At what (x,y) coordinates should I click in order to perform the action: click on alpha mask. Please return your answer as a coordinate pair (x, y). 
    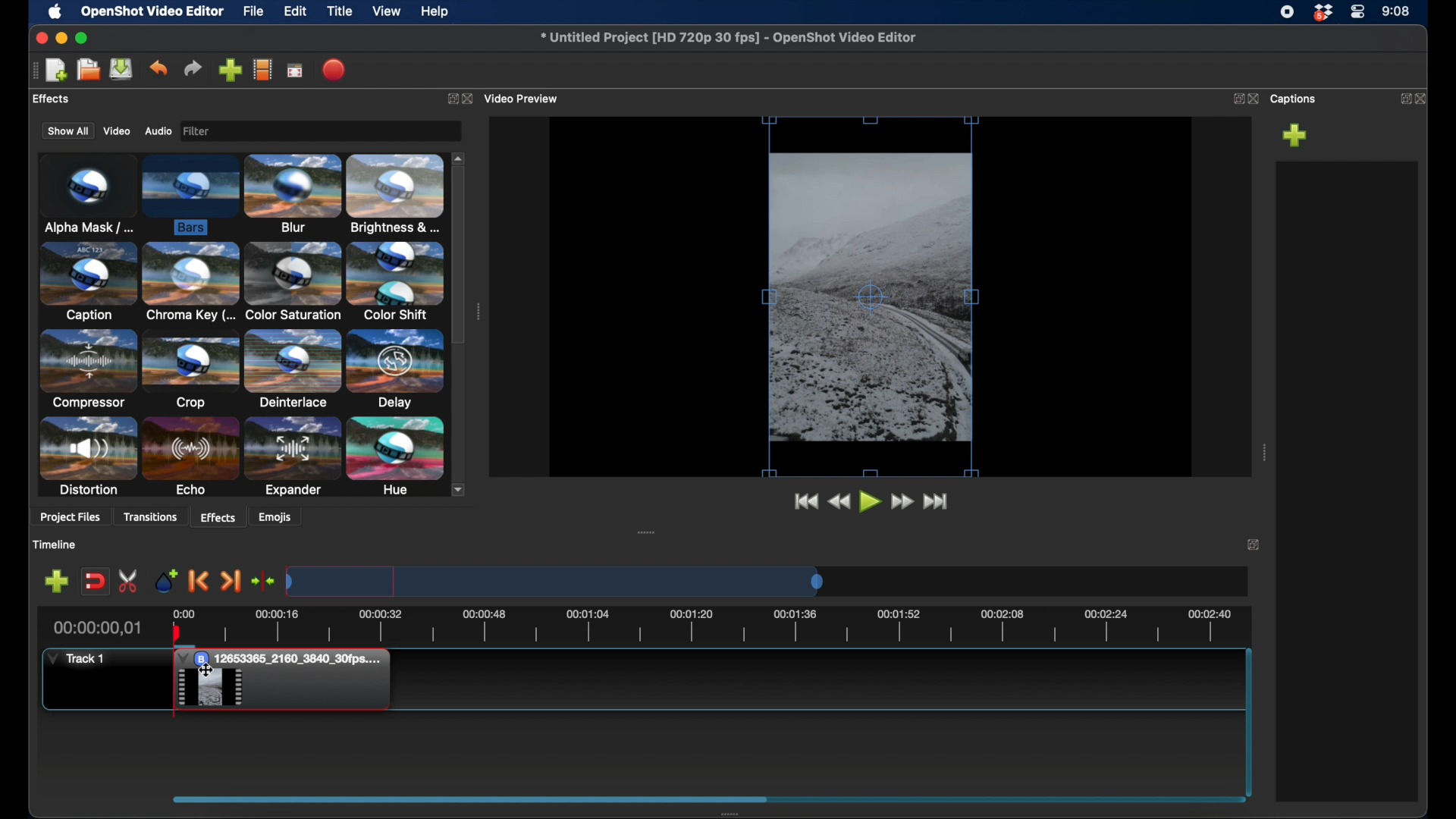
    Looking at the image, I should click on (86, 192).